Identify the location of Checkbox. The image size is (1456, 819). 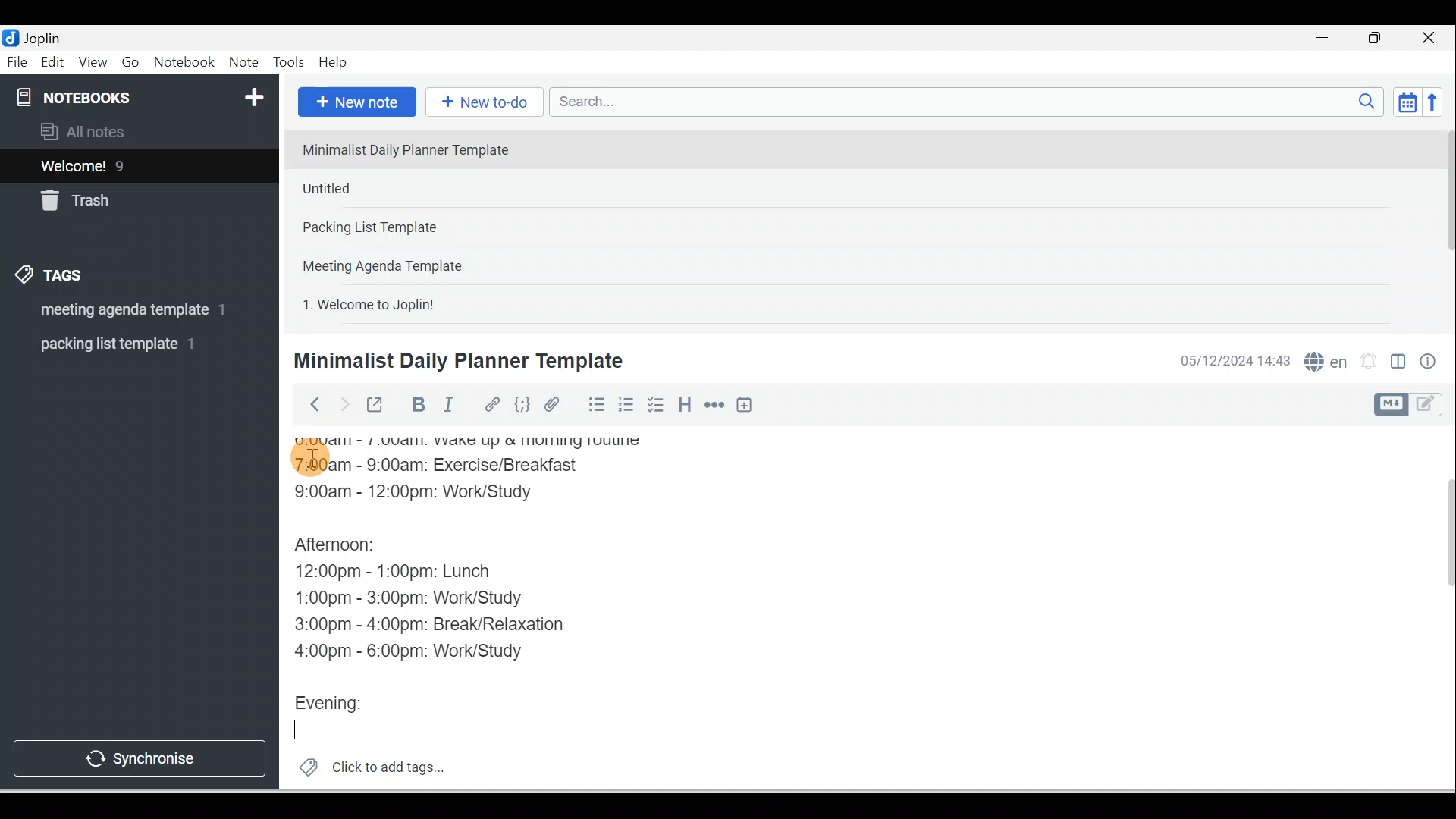
(654, 405).